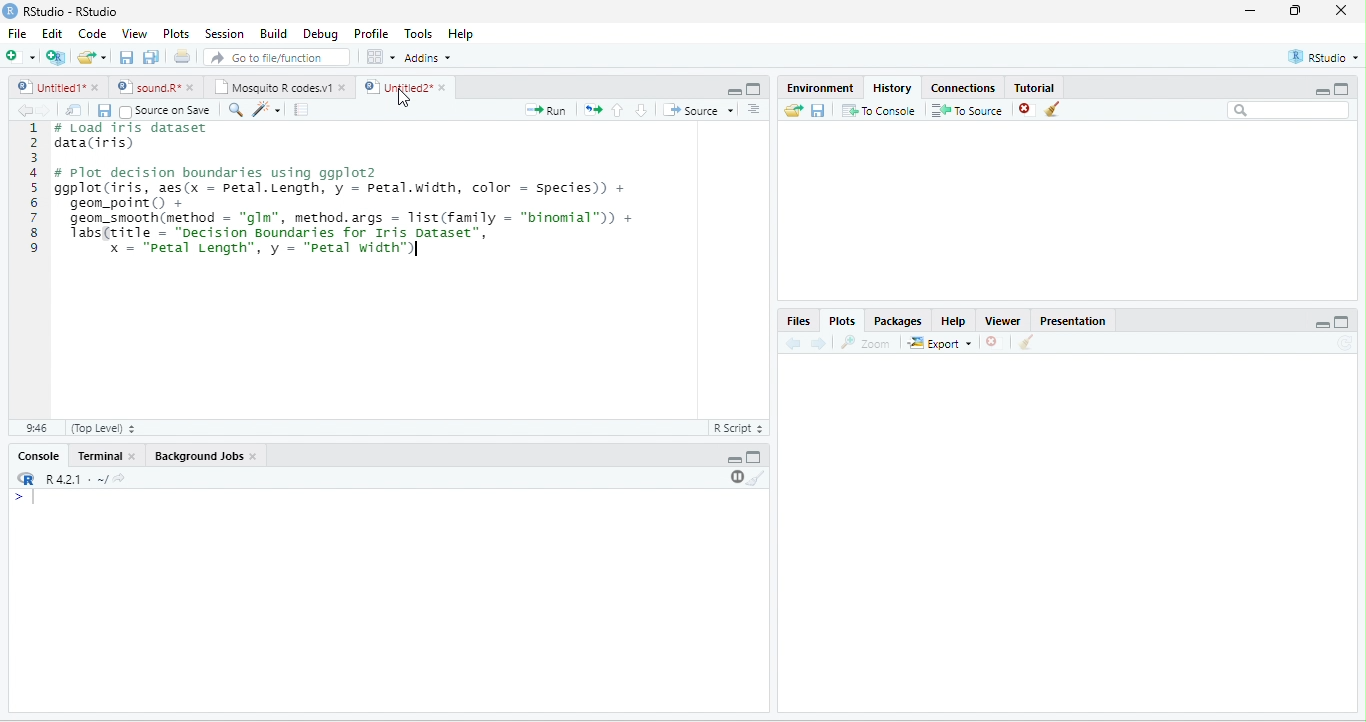  What do you see at coordinates (278, 57) in the screenshot?
I see `search file` at bounding box center [278, 57].